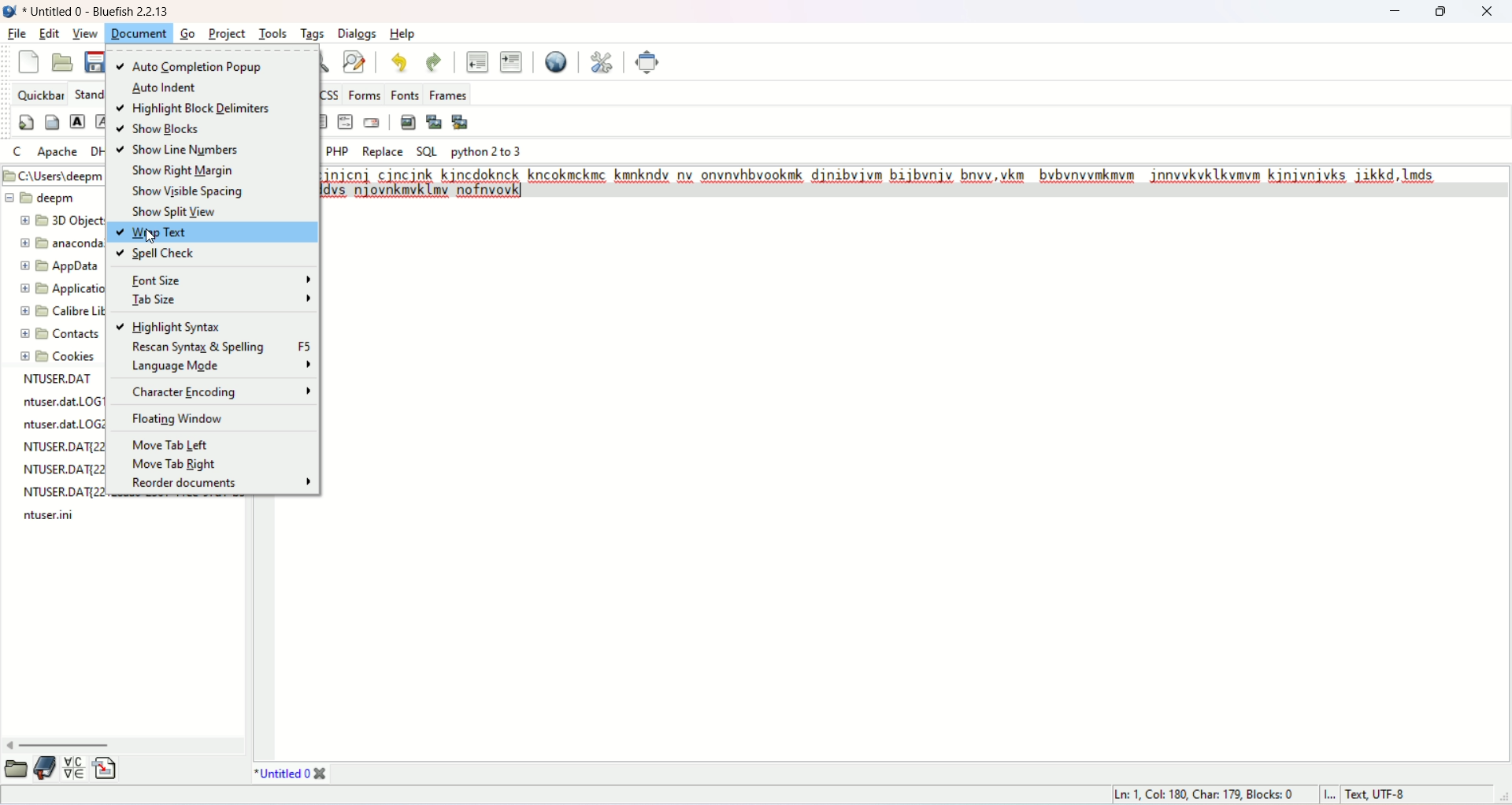 The width and height of the screenshot is (1512, 805). What do you see at coordinates (224, 32) in the screenshot?
I see `document` at bounding box center [224, 32].